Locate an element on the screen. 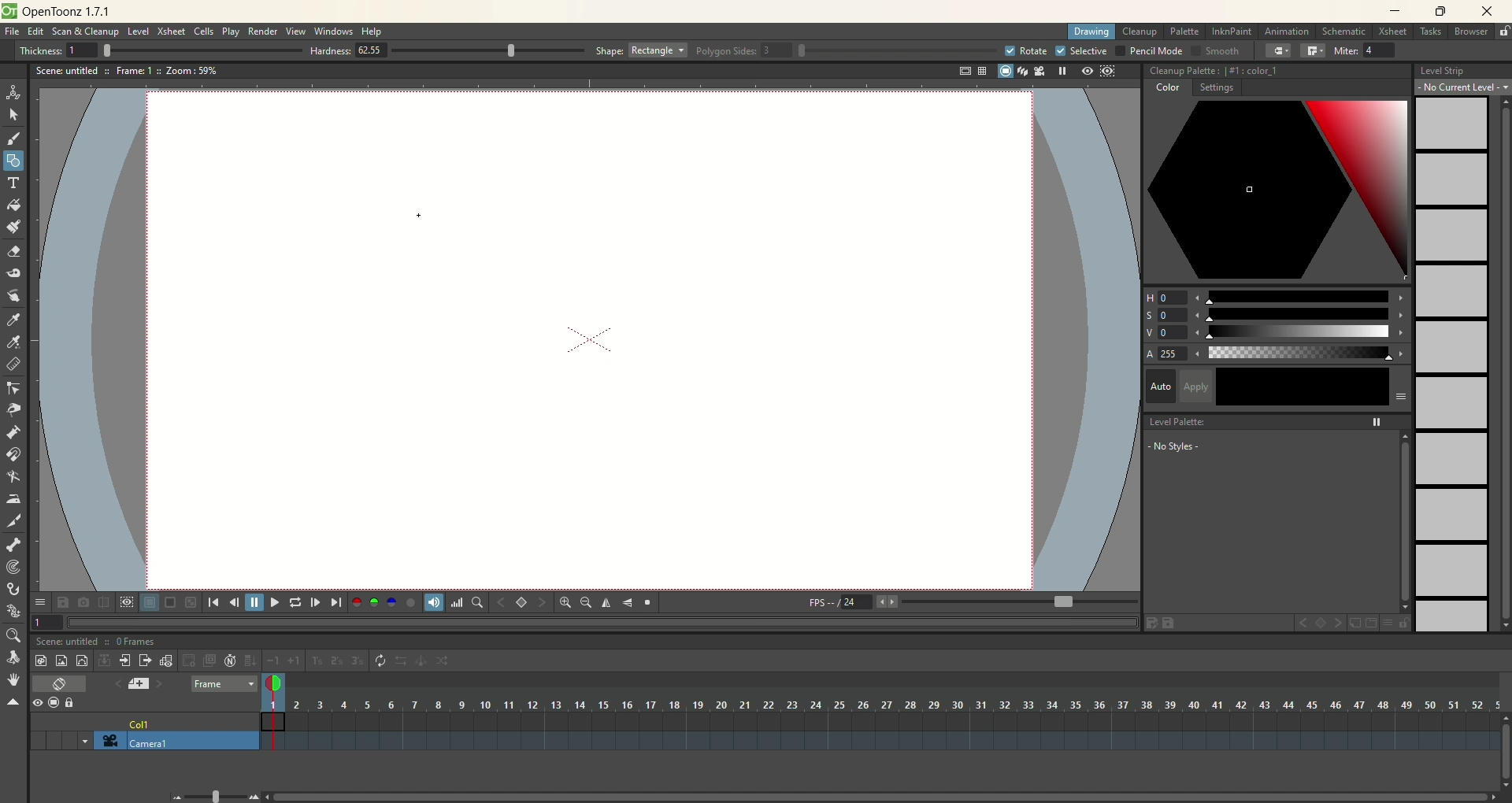 The image size is (1512, 803). camera view is located at coordinates (1036, 71).